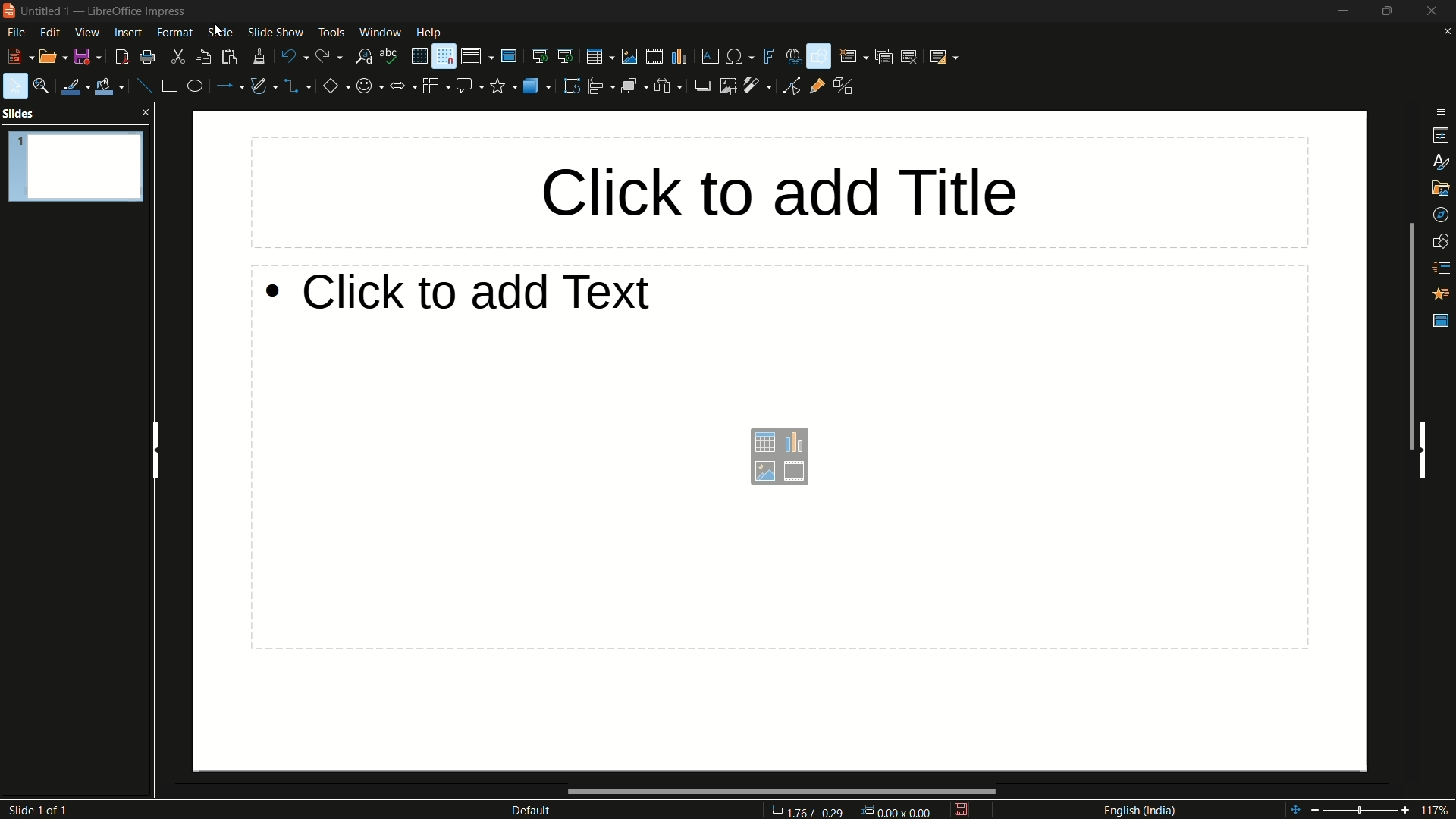 The height and width of the screenshot is (819, 1456). What do you see at coordinates (435, 86) in the screenshot?
I see `flowchart` at bounding box center [435, 86].